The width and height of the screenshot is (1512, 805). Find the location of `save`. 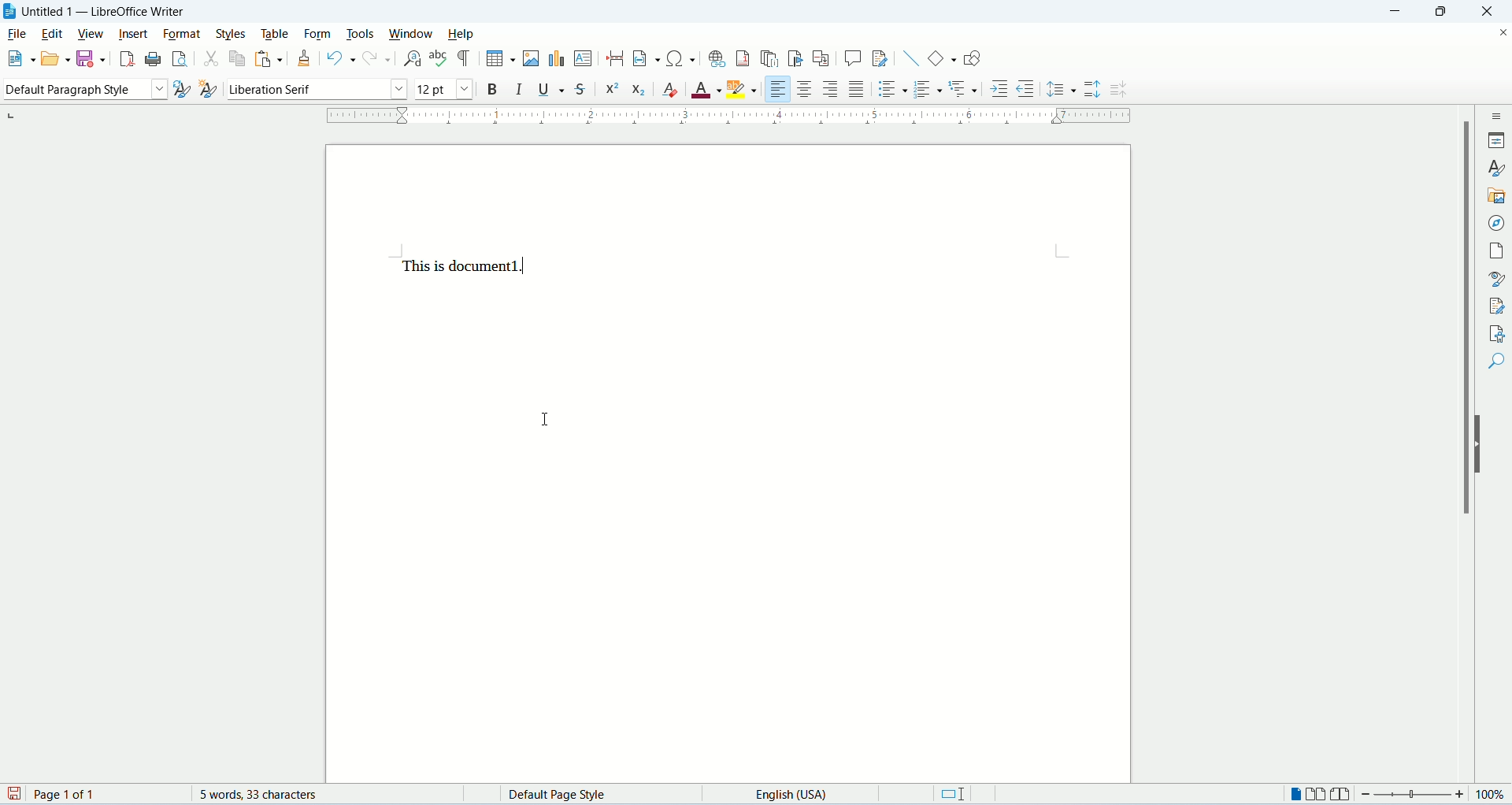

save is located at coordinates (90, 57).